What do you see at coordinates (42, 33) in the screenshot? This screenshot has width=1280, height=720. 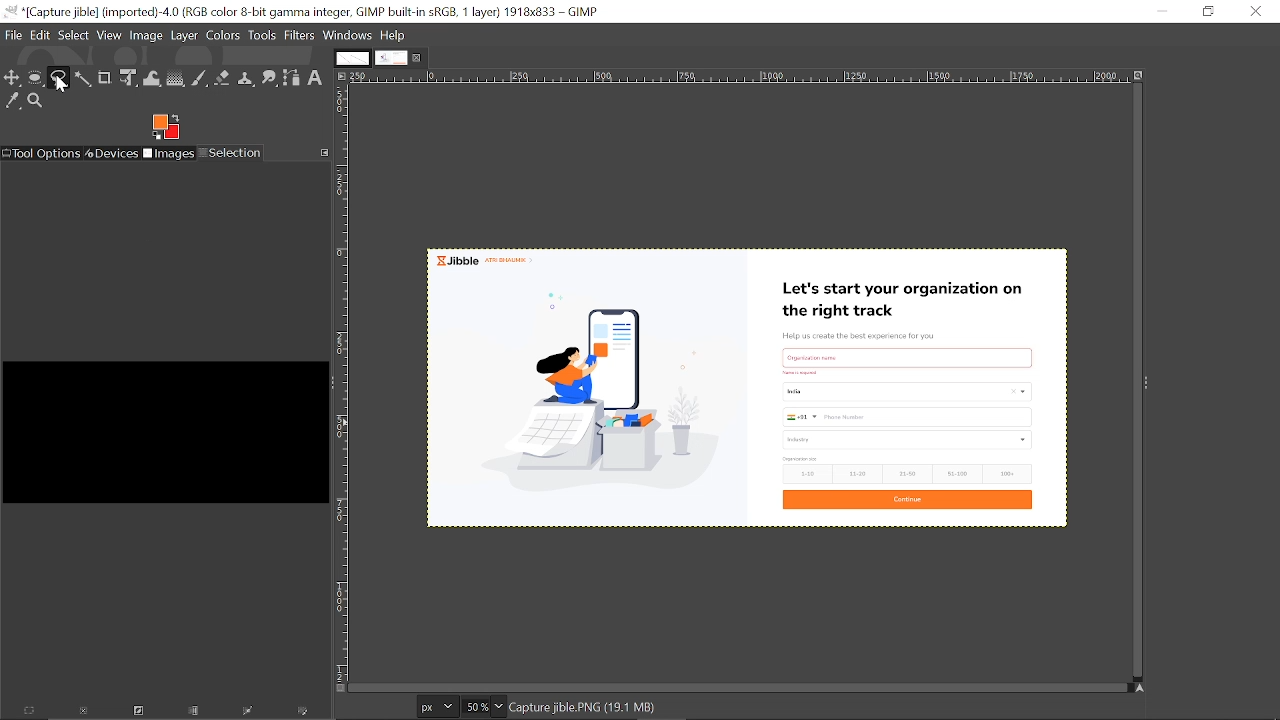 I see `Edit` at bounding box center [42, 33].